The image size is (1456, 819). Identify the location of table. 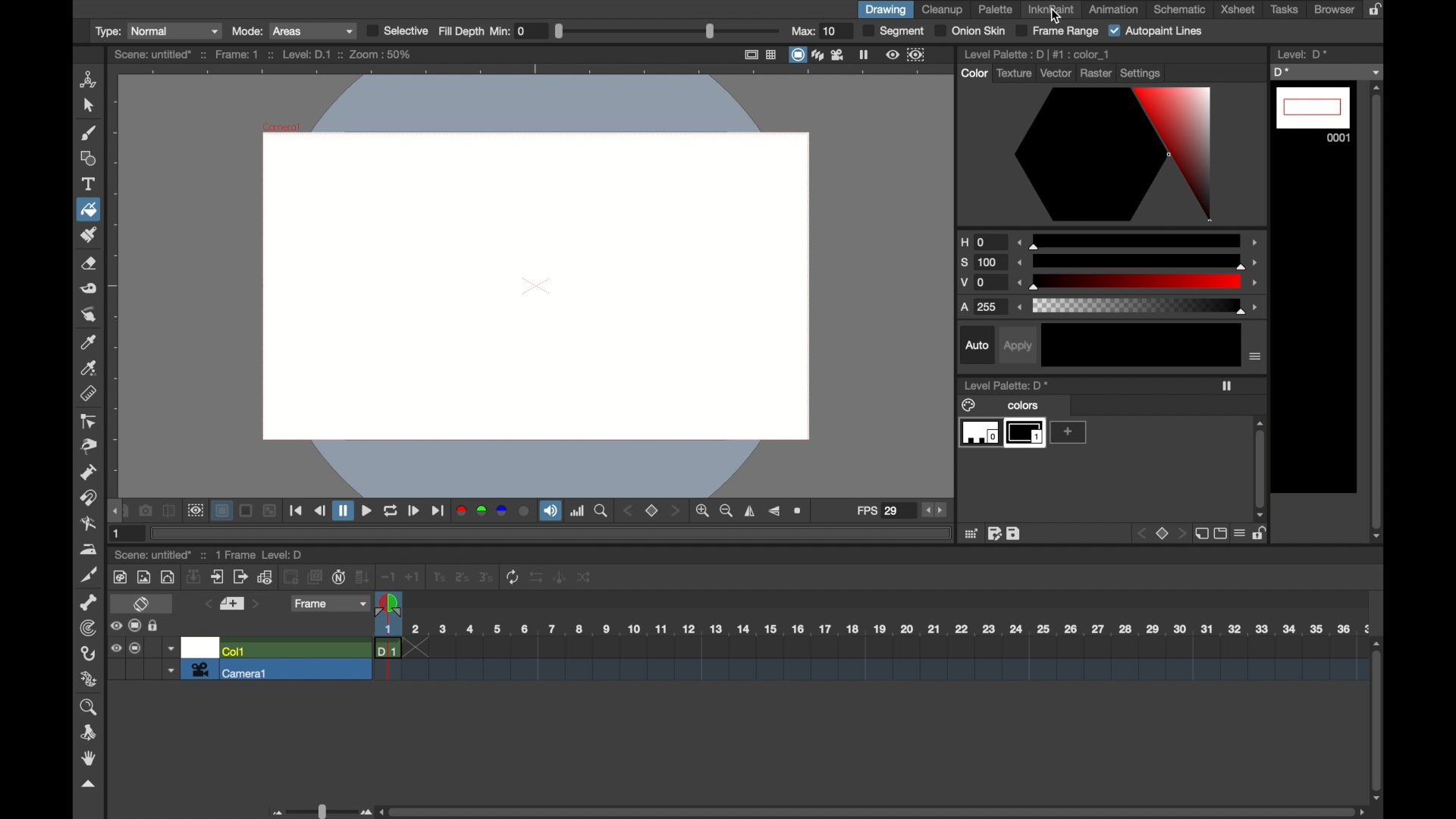
(772, 55).